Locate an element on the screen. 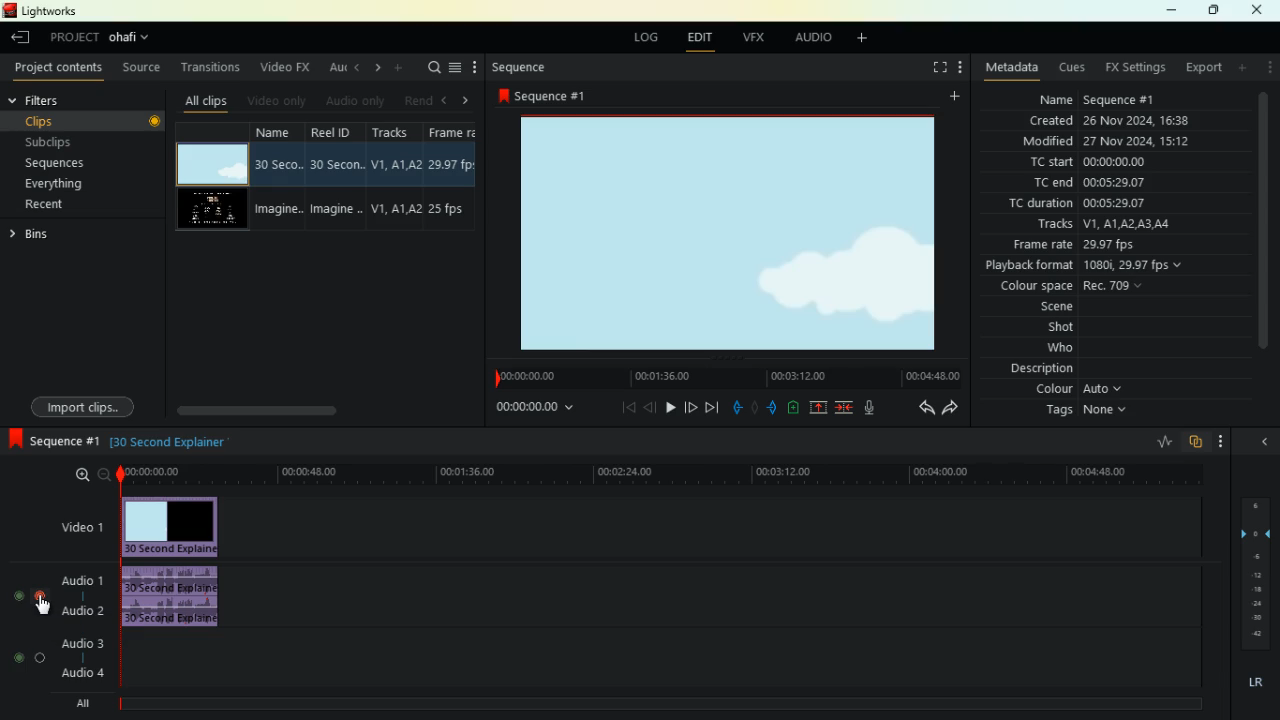 This screenshot has width=1280, height=720. left is located at coordinates (357, 70).